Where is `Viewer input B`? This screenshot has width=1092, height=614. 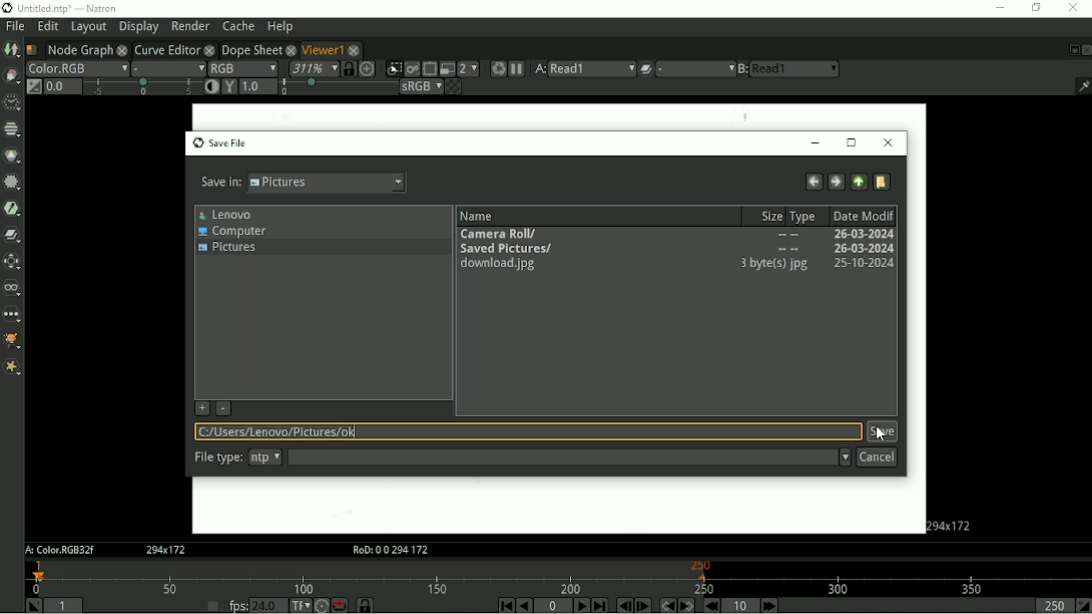 Viewer input B is located at coordinates (743, 70).